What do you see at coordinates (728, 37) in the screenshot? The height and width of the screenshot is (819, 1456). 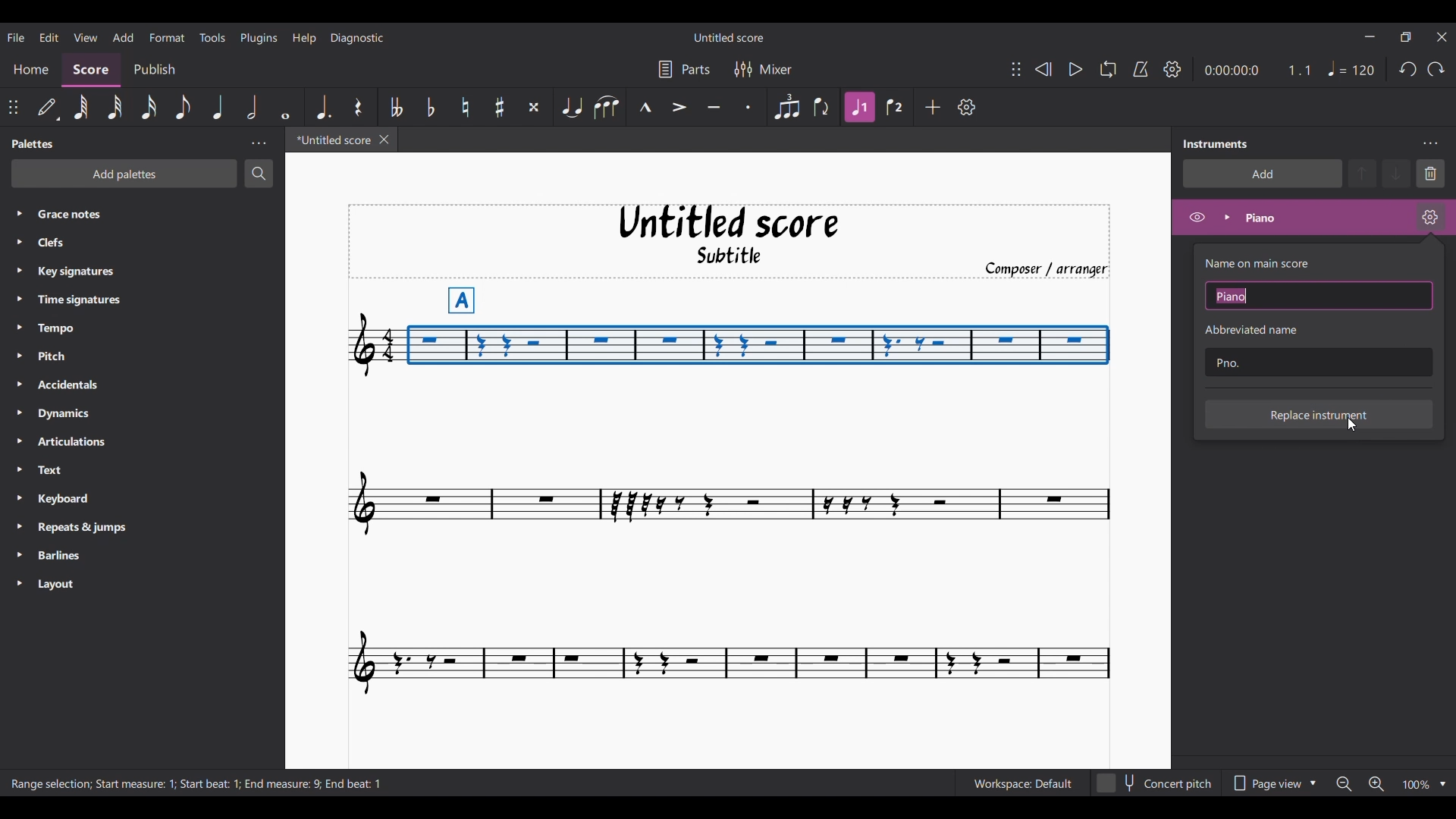 I see `Score name` at bounding box center [728, 37].